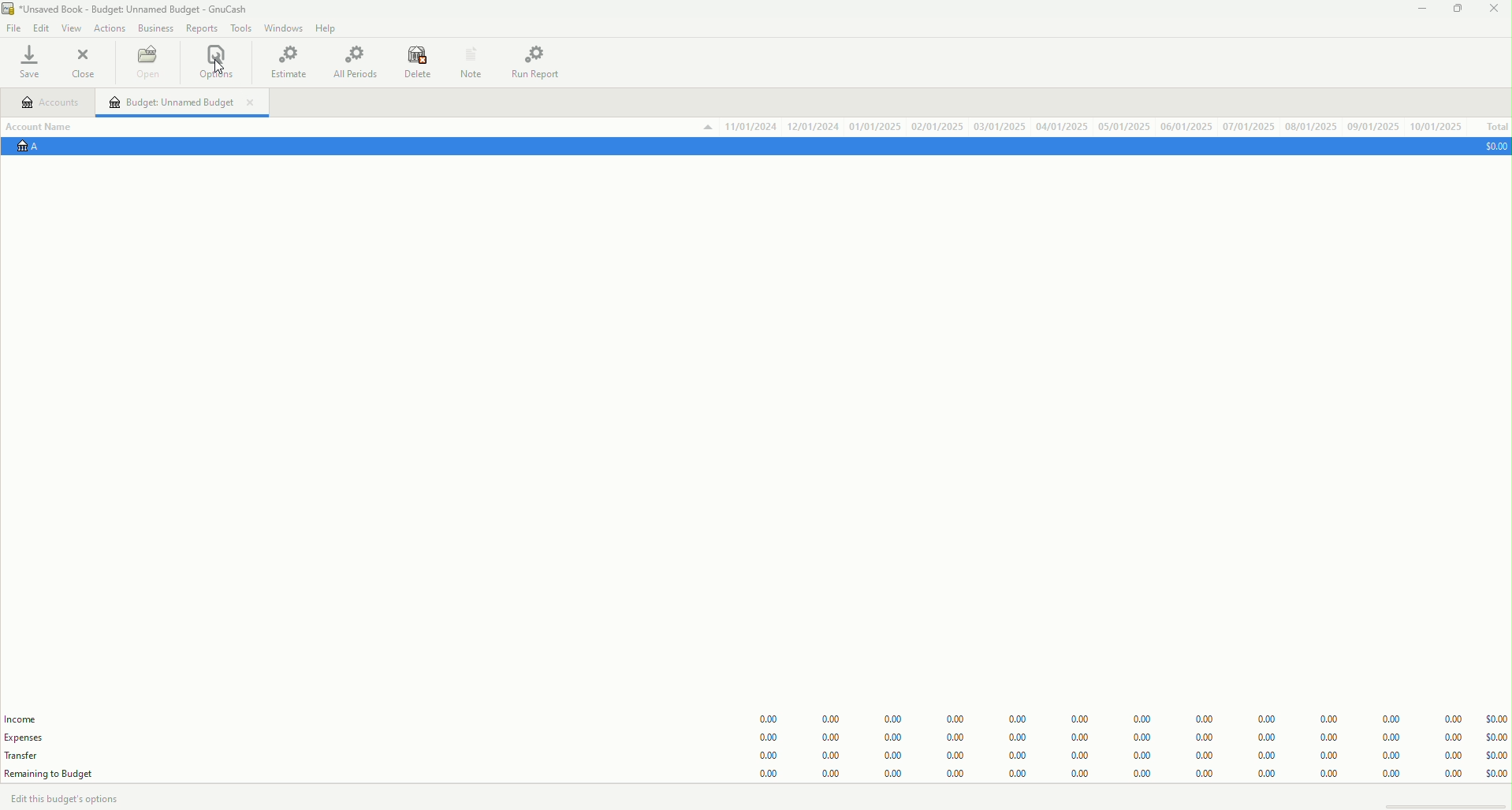  What do you see at coordinates (1492, 10) in the screenshot?
I see `Close` at bounding box center [1492, 10].